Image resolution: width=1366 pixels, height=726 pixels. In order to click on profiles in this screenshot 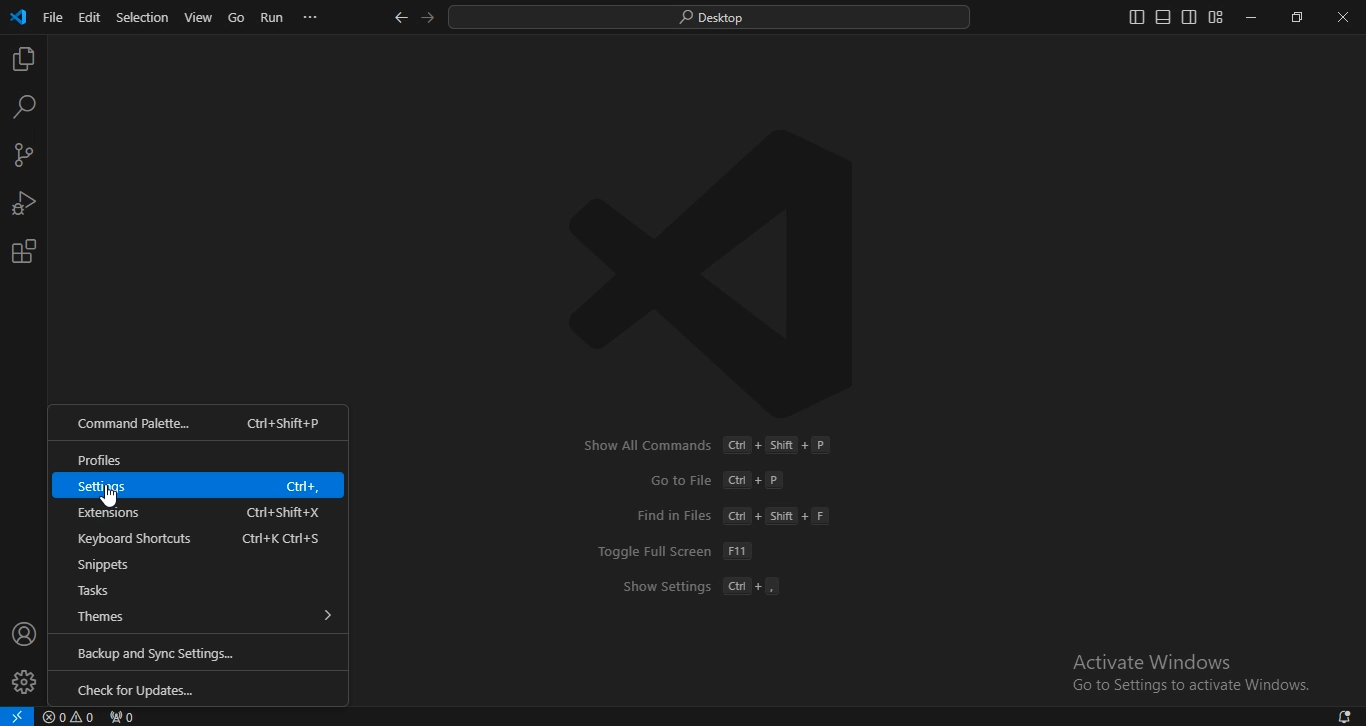, I will do `click(199, 457)`.